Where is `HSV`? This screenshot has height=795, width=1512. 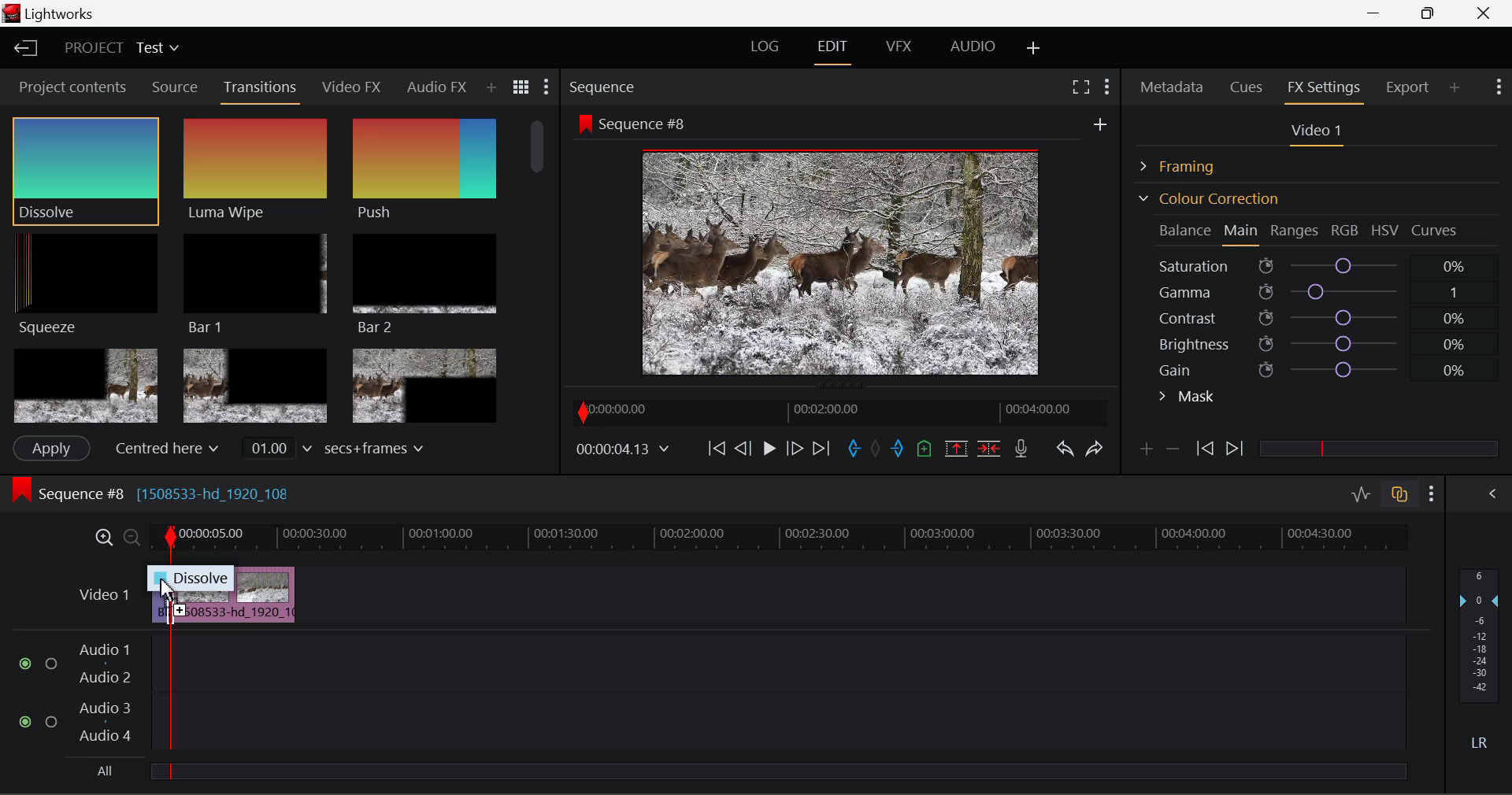
HSV is located at coordinates (1385, 230).